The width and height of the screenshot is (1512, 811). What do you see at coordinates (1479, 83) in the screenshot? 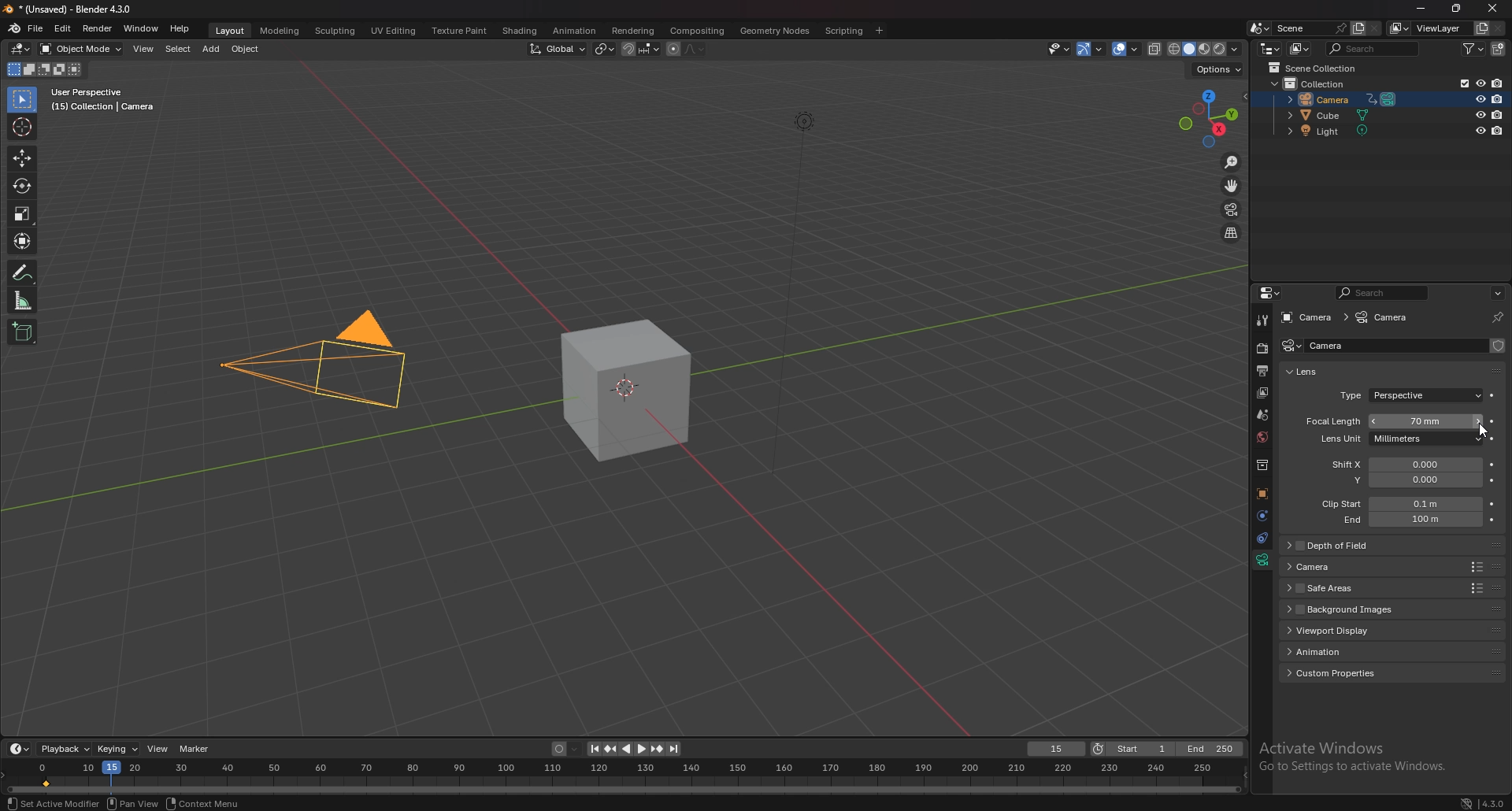
I see `hide in viewport` at bounding box center [1479, 83].